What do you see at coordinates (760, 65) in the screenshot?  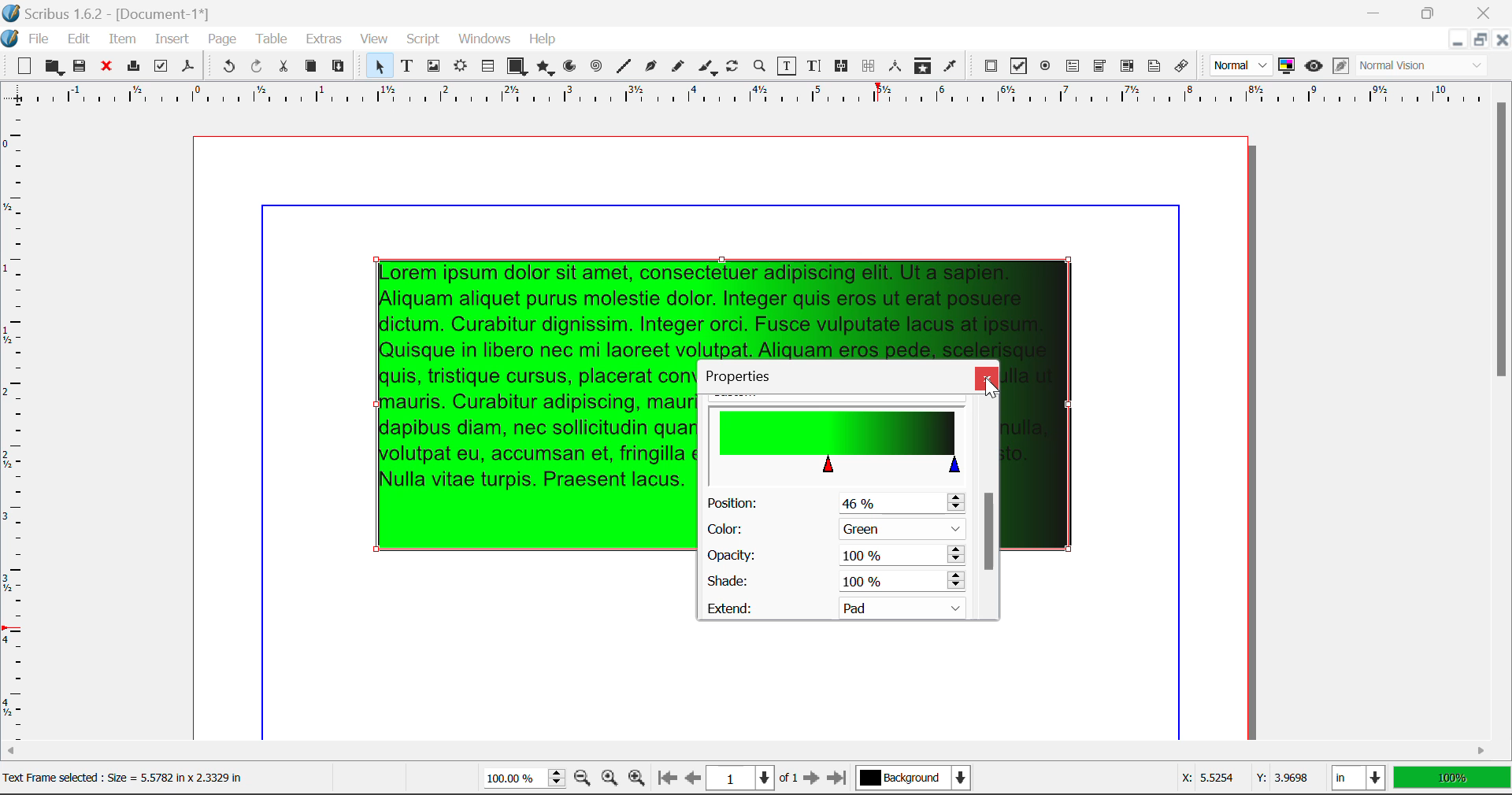 I see `Zoom` at bounding box center [760, 65].